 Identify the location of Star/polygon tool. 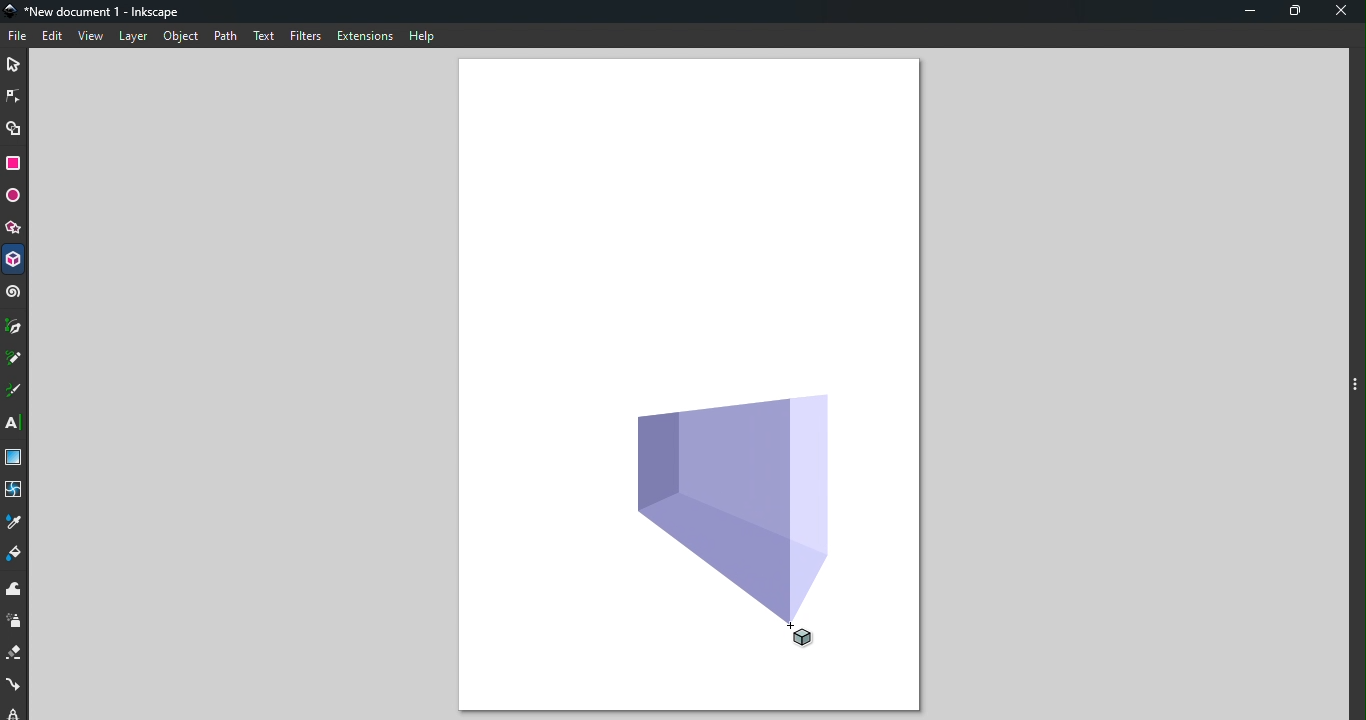
(15, 225).